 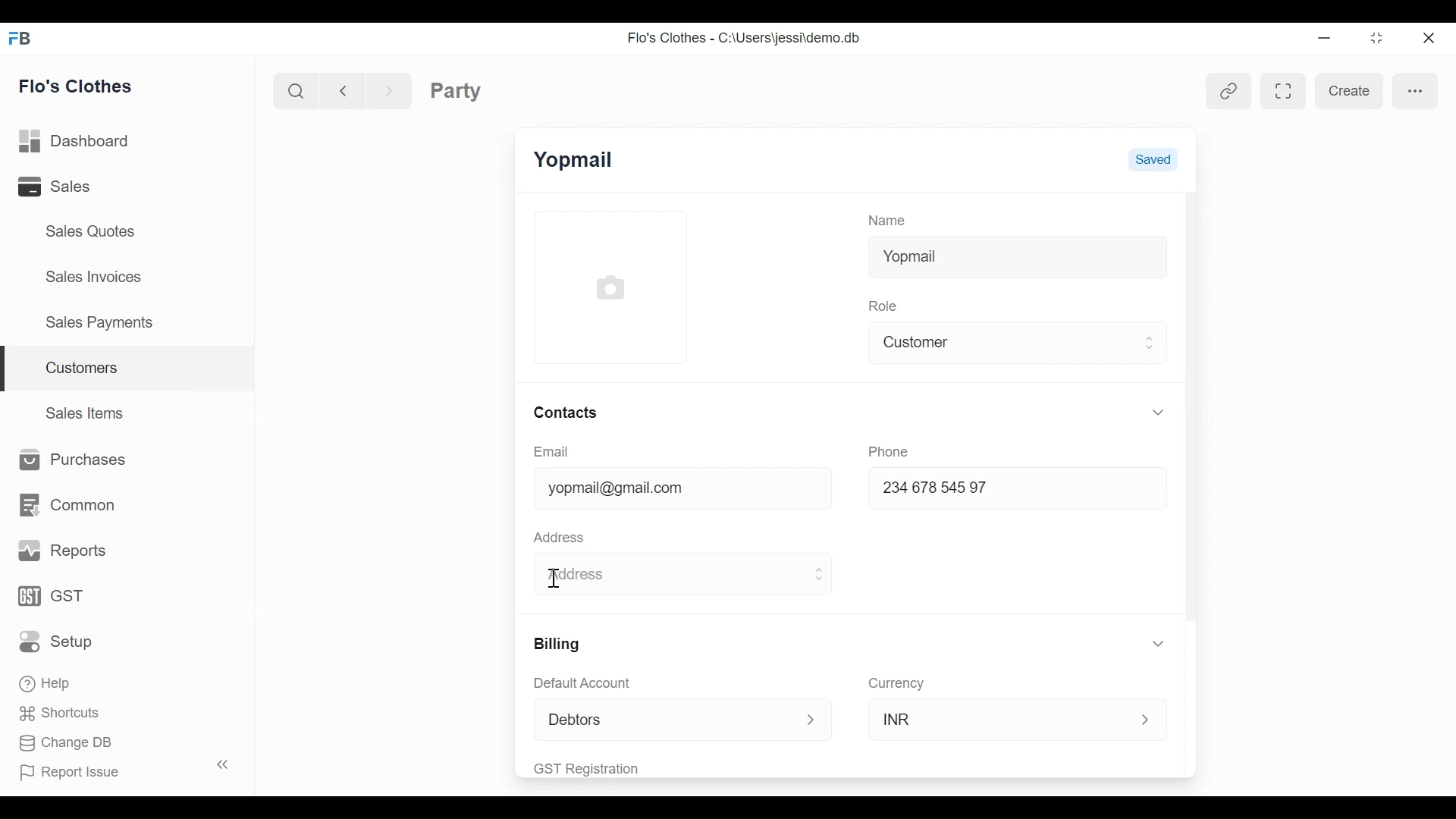 I want to click on minimize, so click(x=1323, y=37).